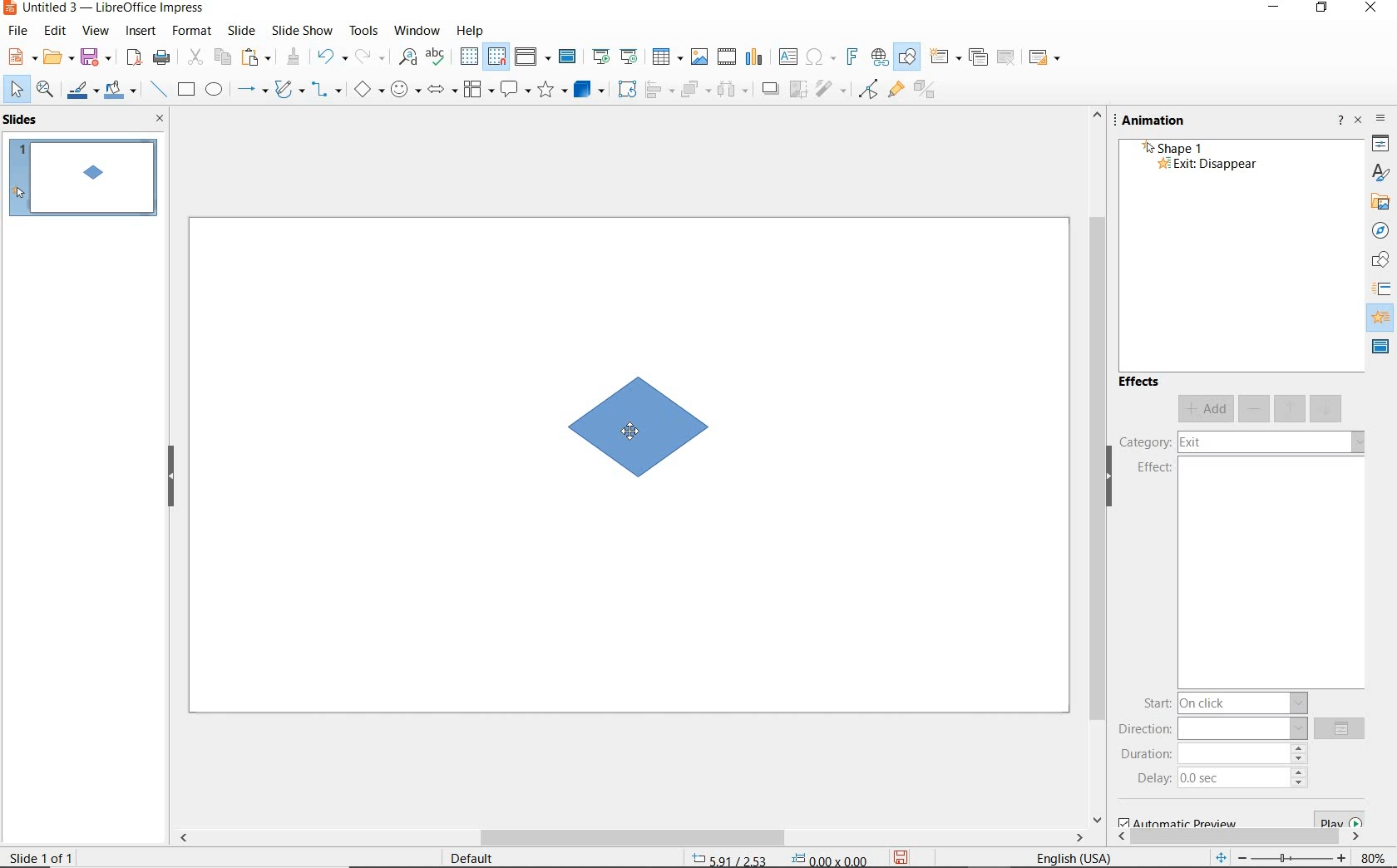 Image resolution: width=1397 pixels, height=868 pixels. I want to click on insert hyperlink, so click(880, 60).